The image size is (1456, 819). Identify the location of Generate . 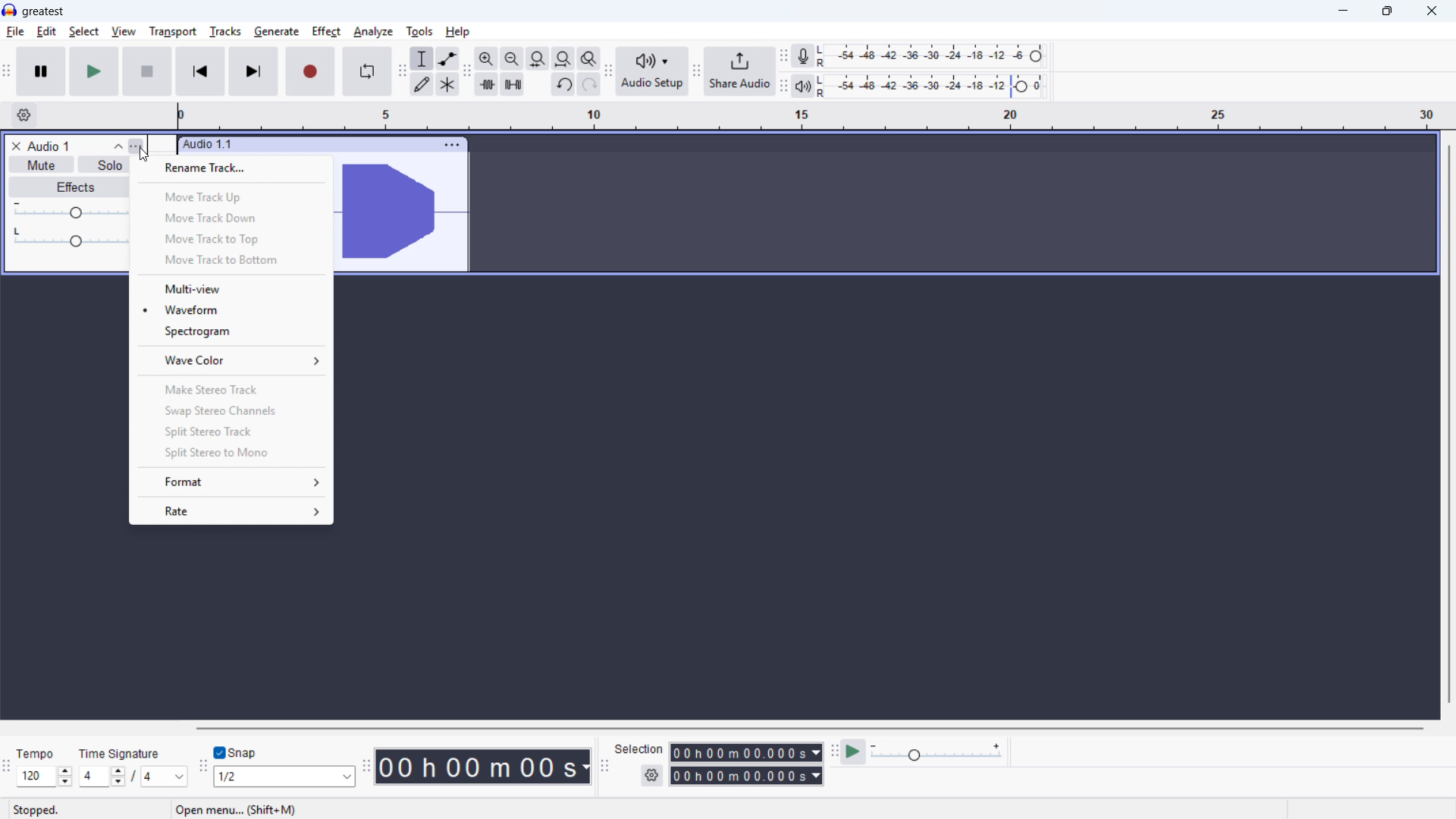
(276, 32).